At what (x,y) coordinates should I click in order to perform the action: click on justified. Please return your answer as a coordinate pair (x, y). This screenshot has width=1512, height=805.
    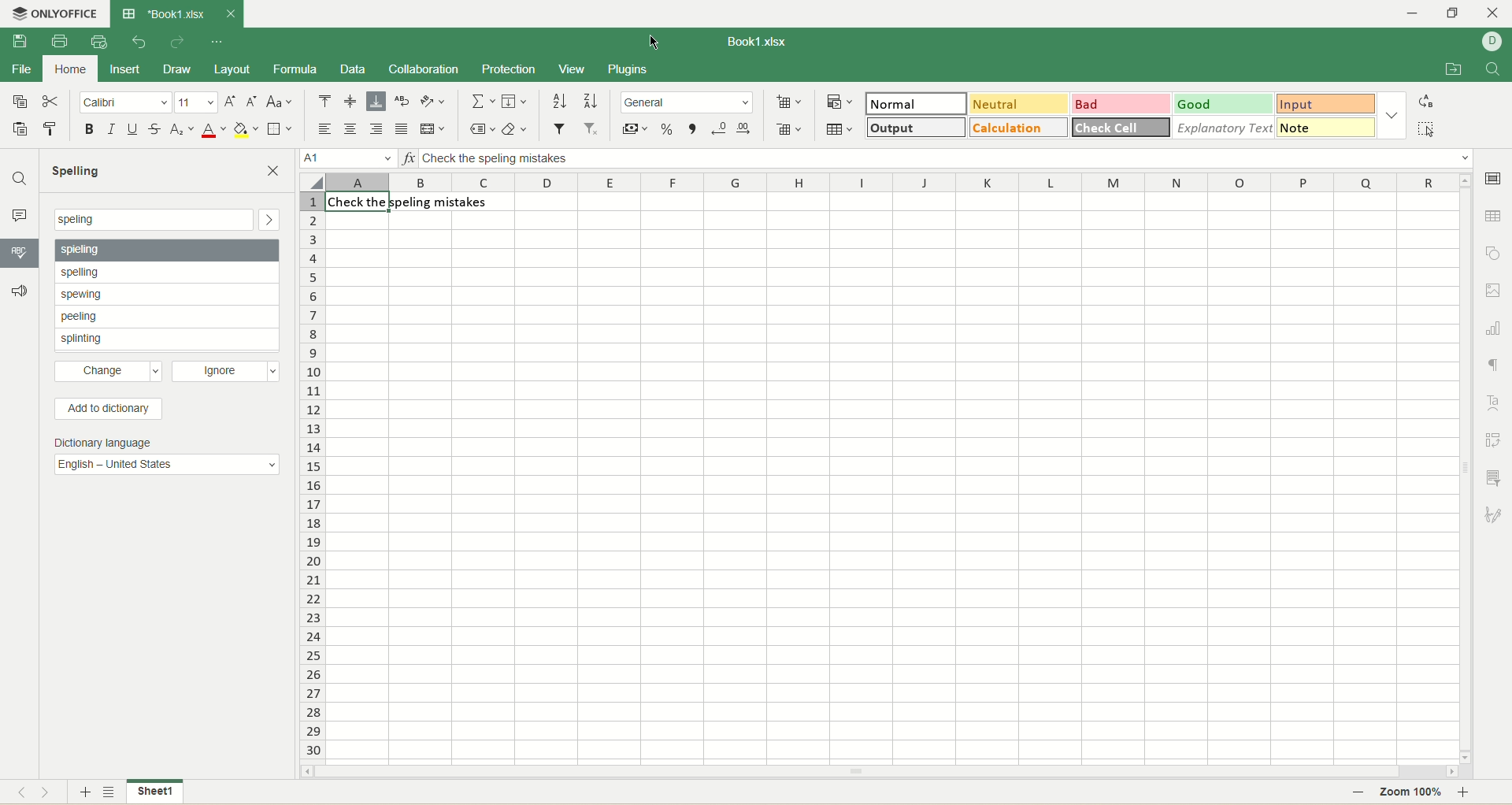
    Looking at the image, I should click on (402, 128).